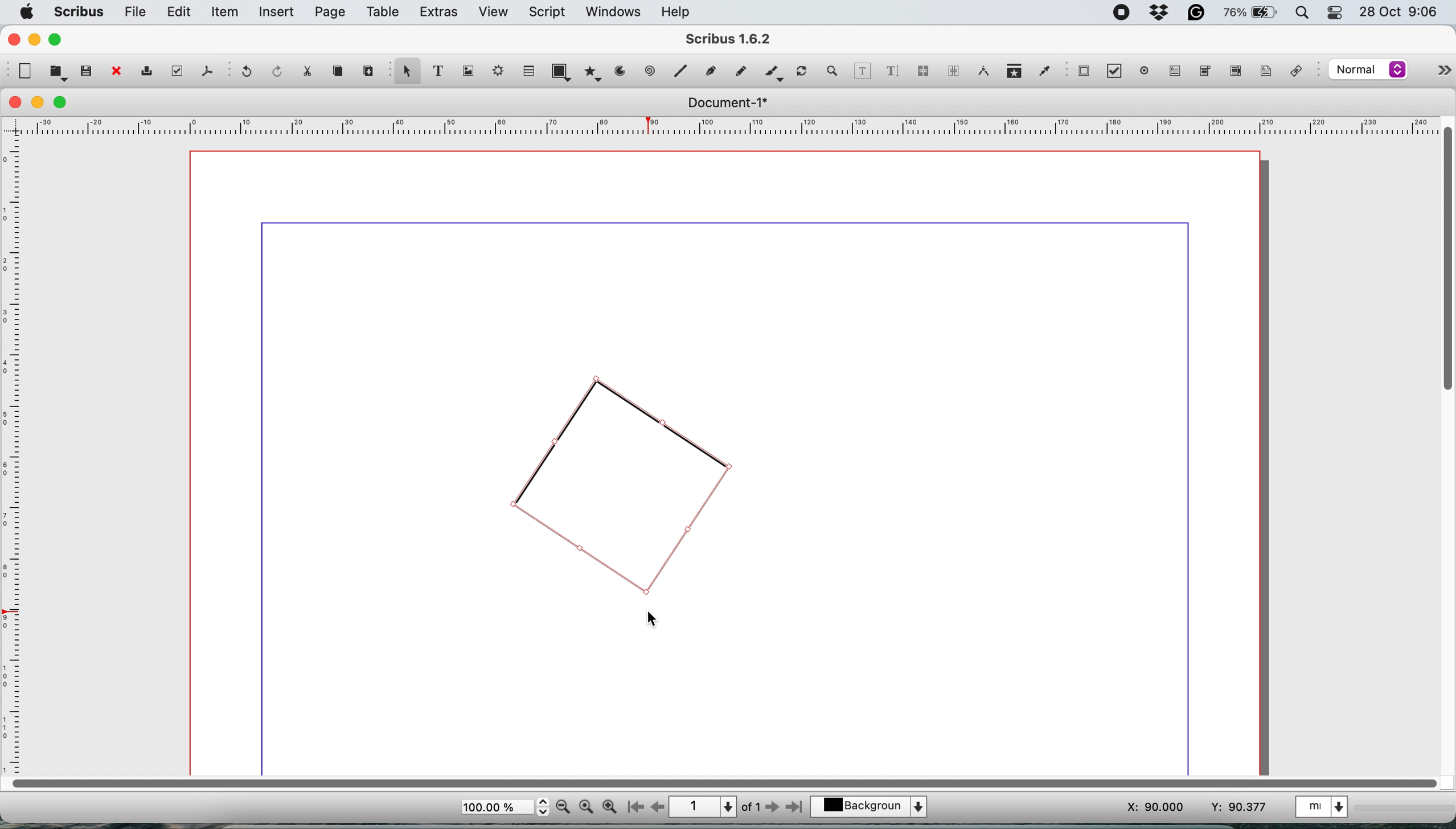 The image size is (1456, 829). What do you see at coordinates (1160, 13) in the screenshot?
I see `dropbox` at bounding box center [1160, 13].